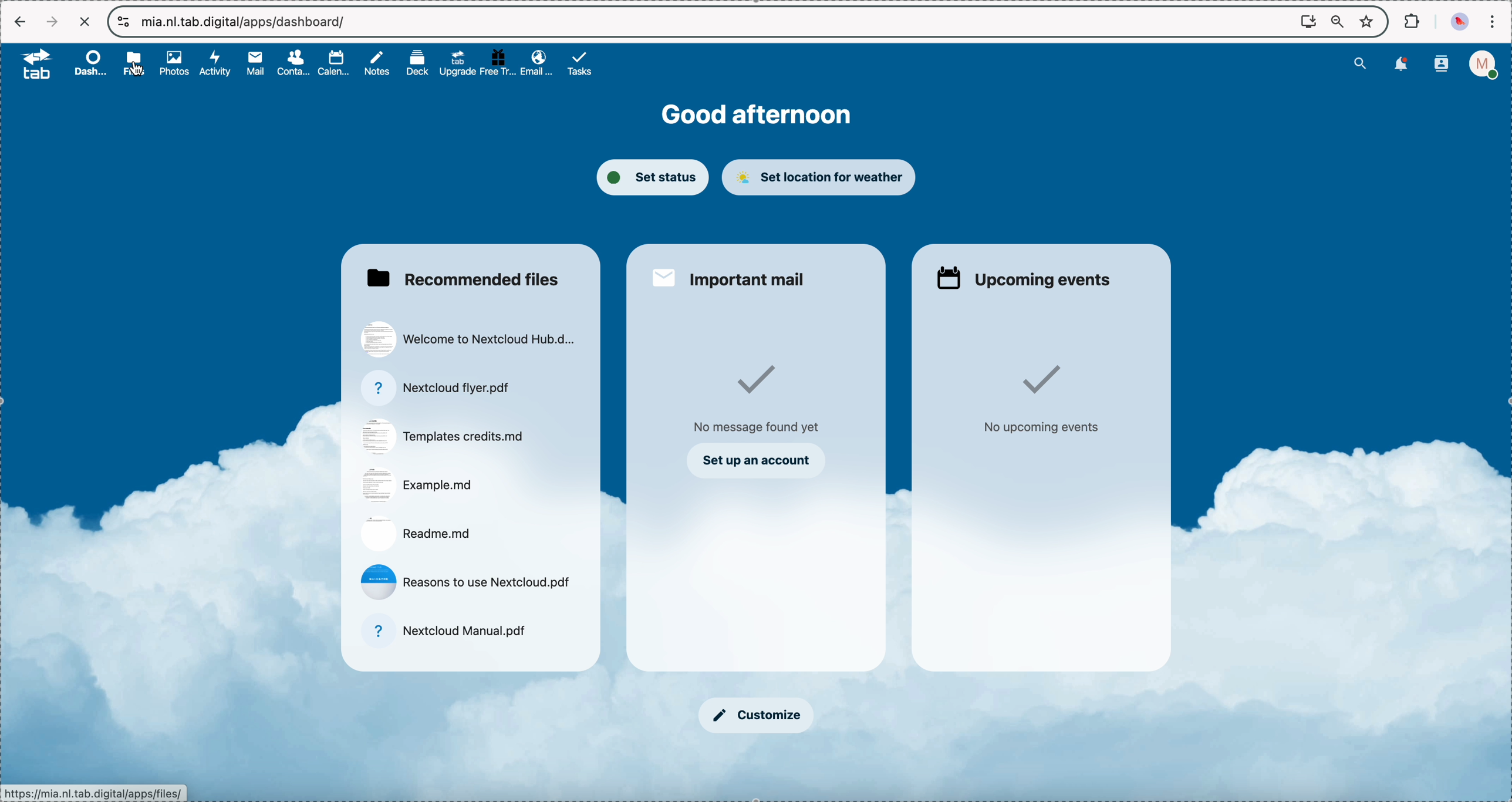 This screenshot has height=802, width=1512. Describe the element at coordinates (468, 582) in the screenshot. I see `file` at that location.